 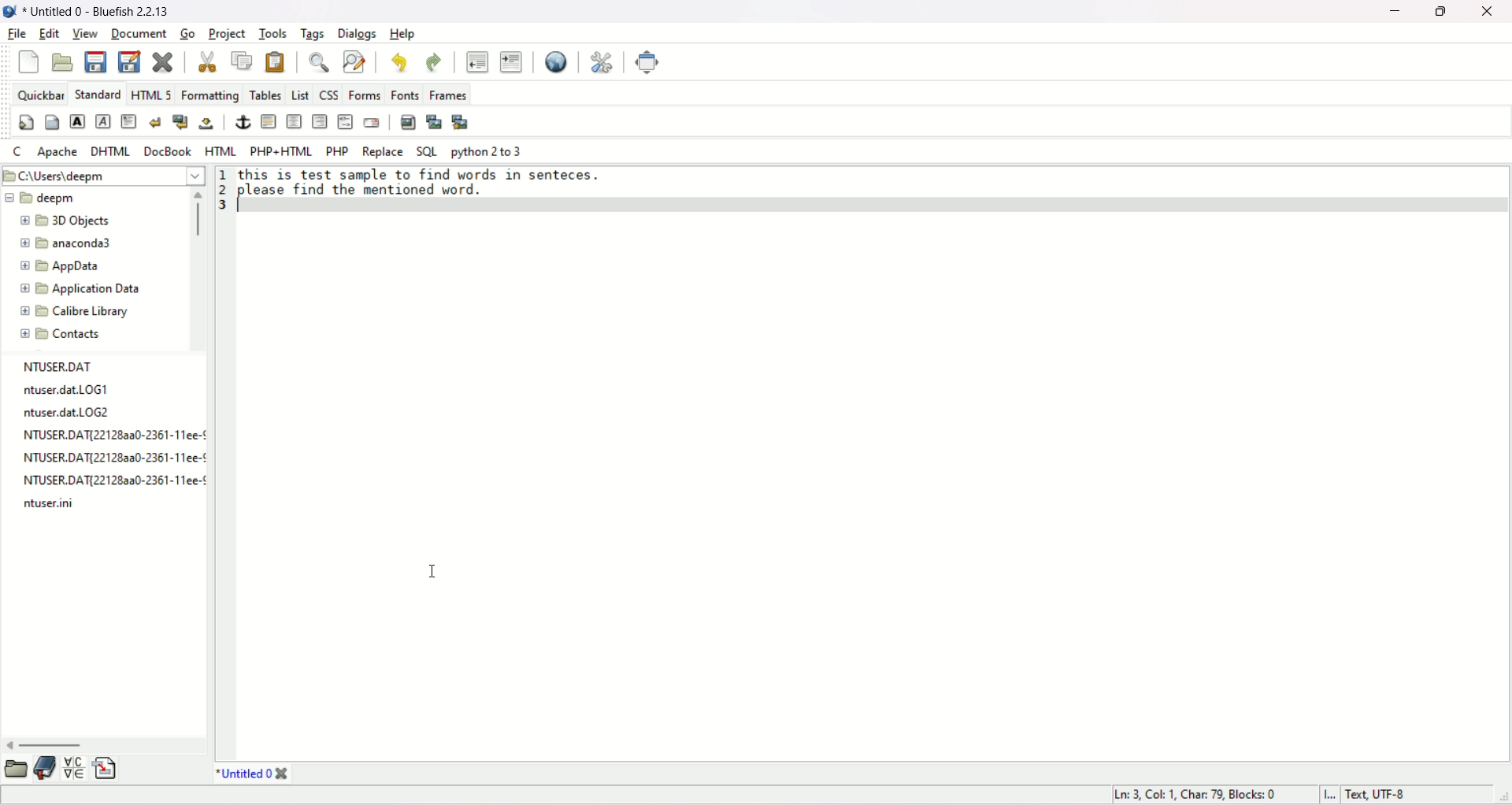 What do you see at coordinates (57, 152) in the screenshot?
I see `Apache` at bounding box center [57, 152].